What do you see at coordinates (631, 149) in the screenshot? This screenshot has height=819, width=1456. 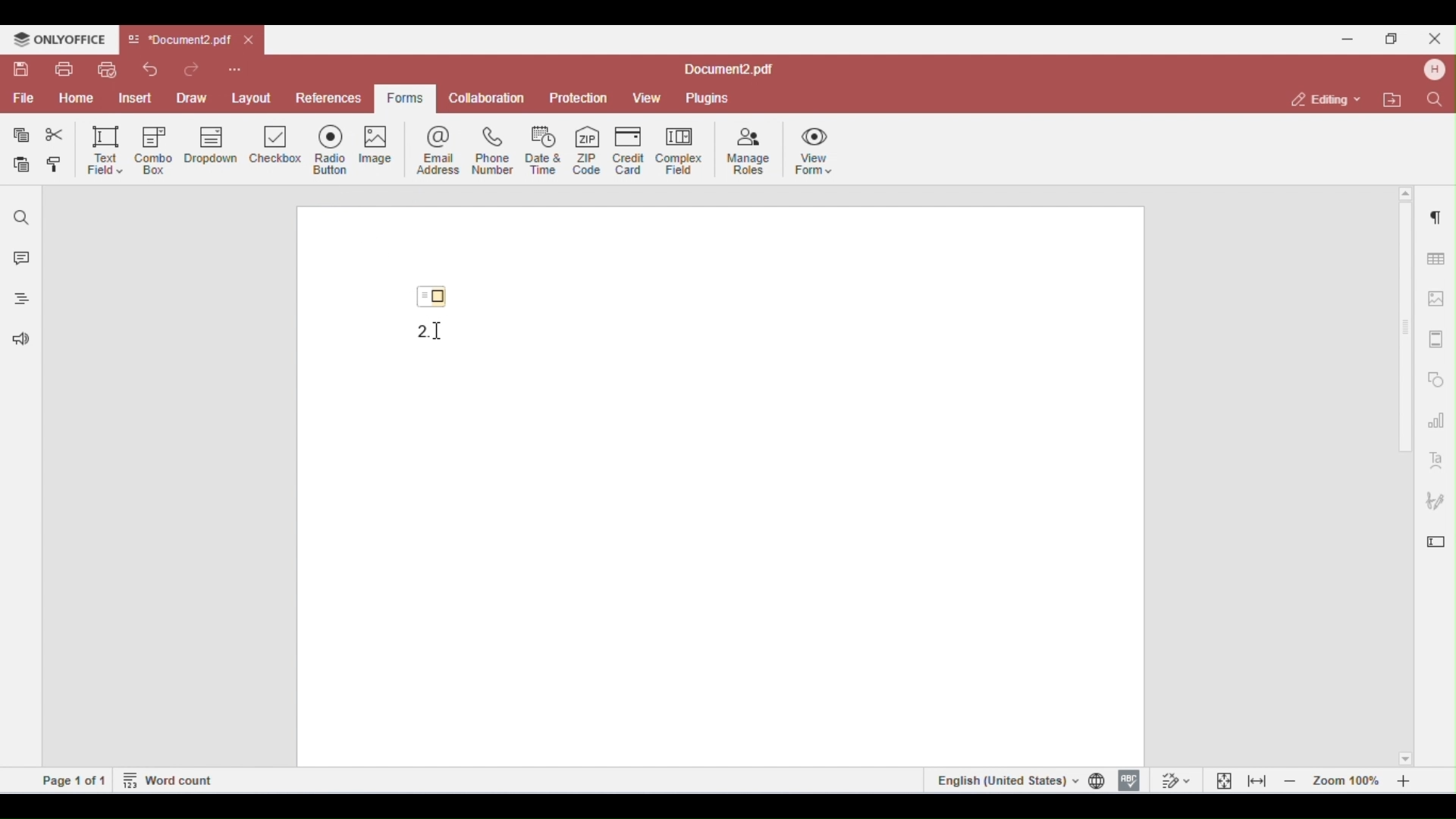 I see `credit card` at bounding box center [631, 149].